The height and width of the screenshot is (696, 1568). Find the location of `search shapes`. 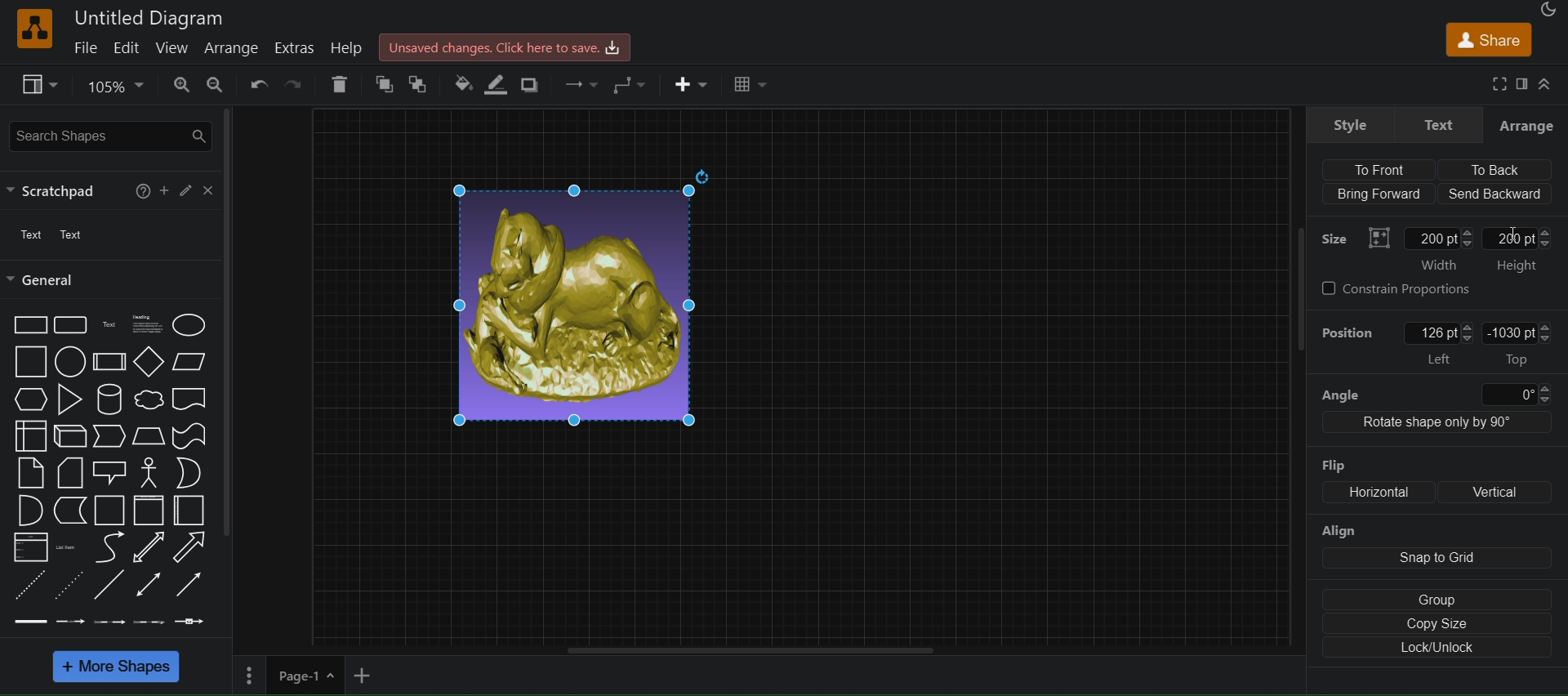

search shapes is located at coordinates (108, 136).